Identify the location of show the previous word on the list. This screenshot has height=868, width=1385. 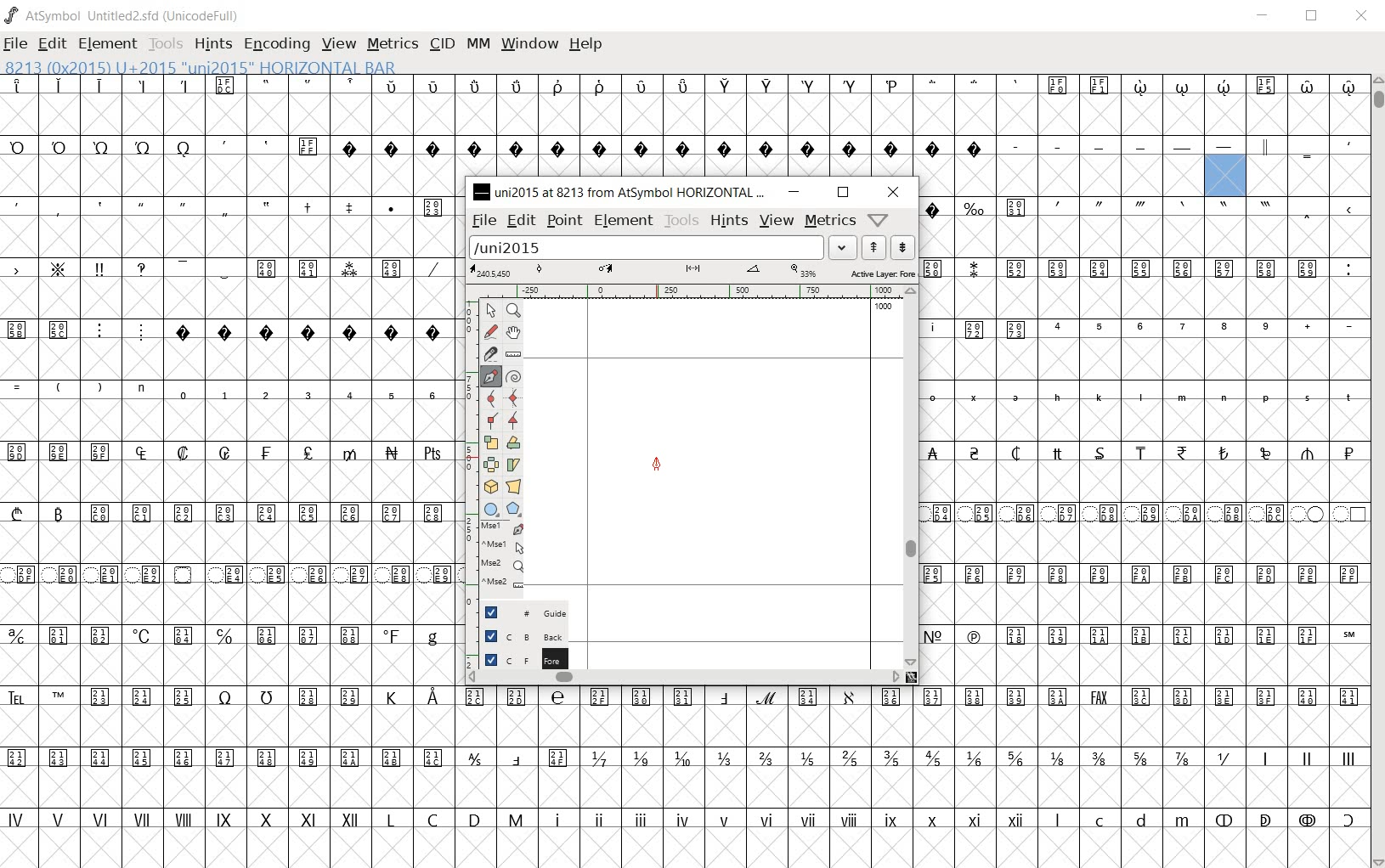
(902, 247).